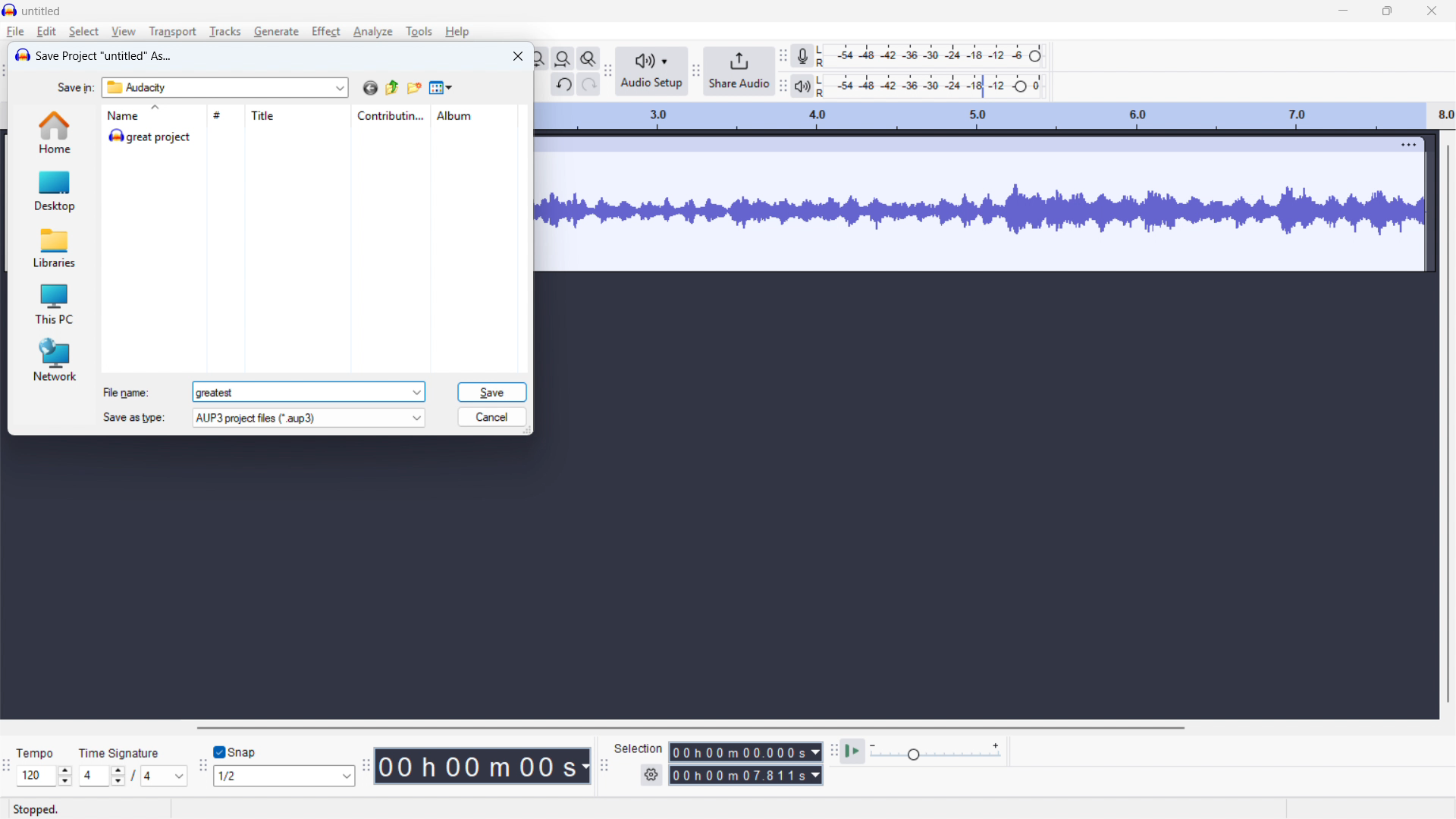 The height and width of the screenshot is (819, 1456). Describe the element at coordinates (996, 117) in the screenshot. I see `timeline` at that location.